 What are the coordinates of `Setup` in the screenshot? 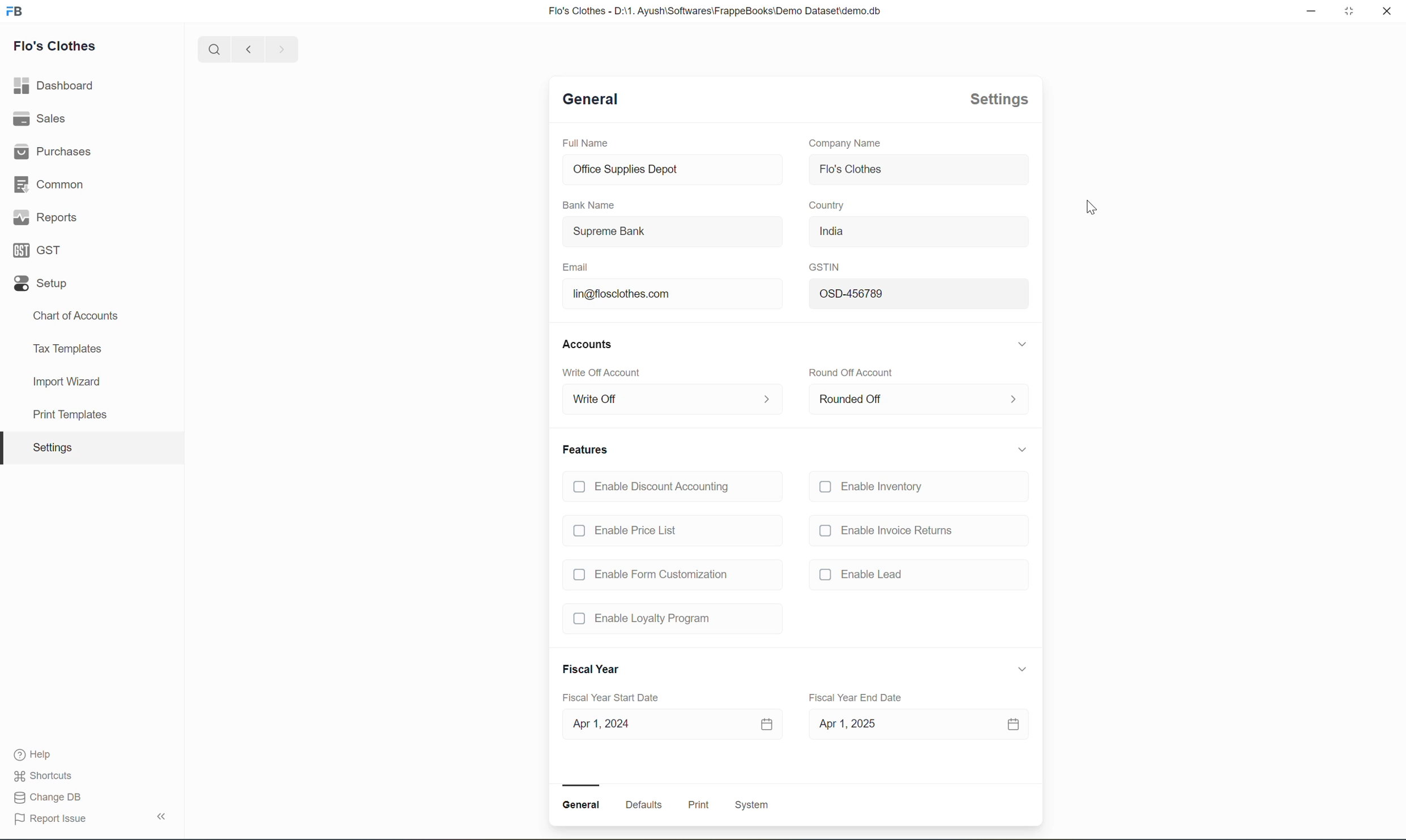 It's located at (41, 283).